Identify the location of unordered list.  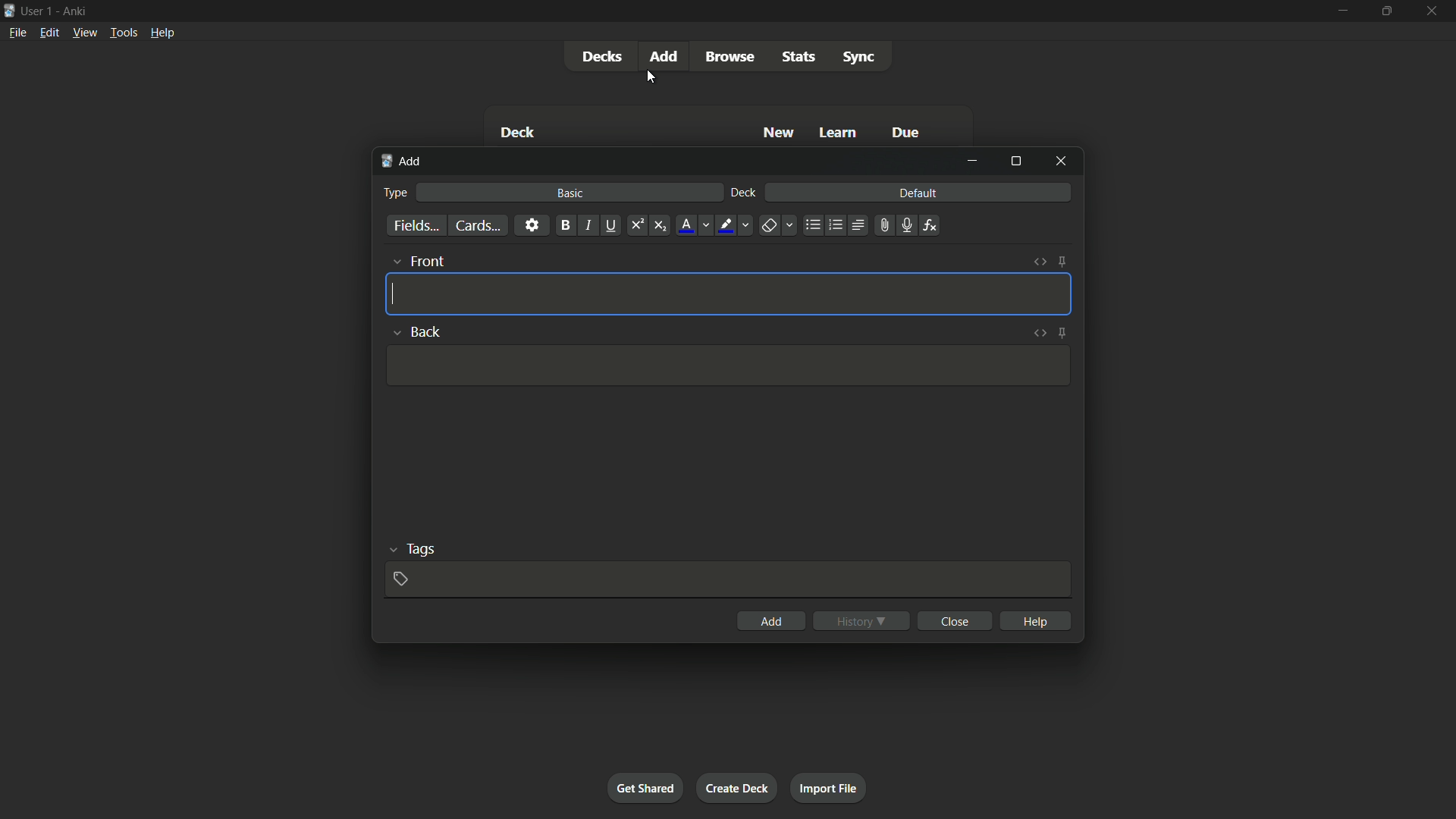
(812, 225).